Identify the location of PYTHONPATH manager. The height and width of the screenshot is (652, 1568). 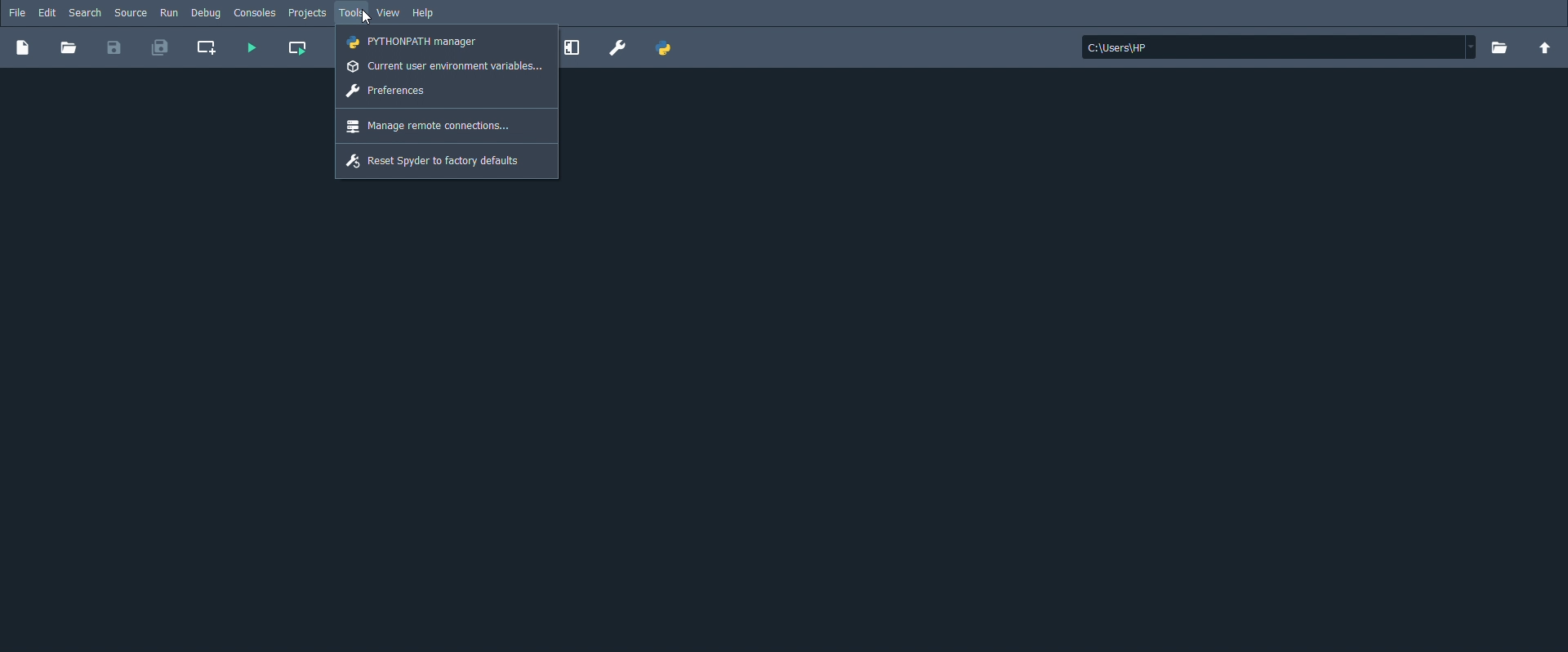
(664, 49).